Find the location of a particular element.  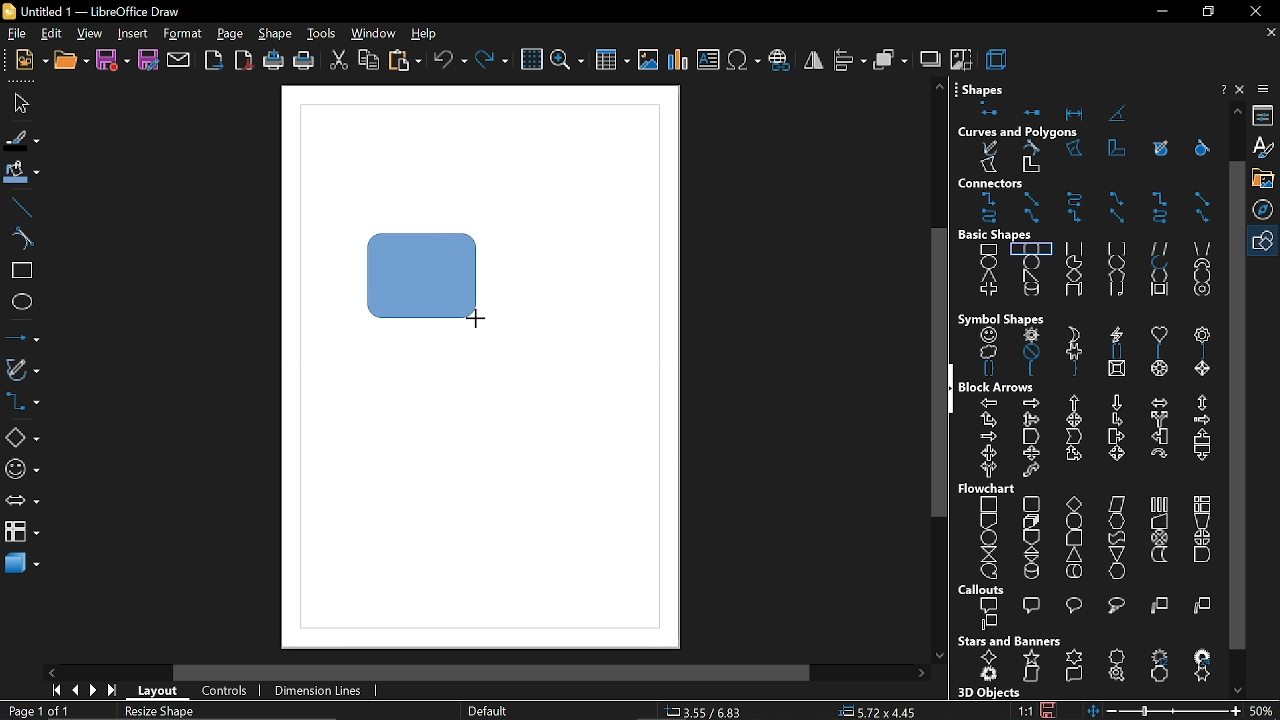

lines and arrows is located at coordinates (23, 337).